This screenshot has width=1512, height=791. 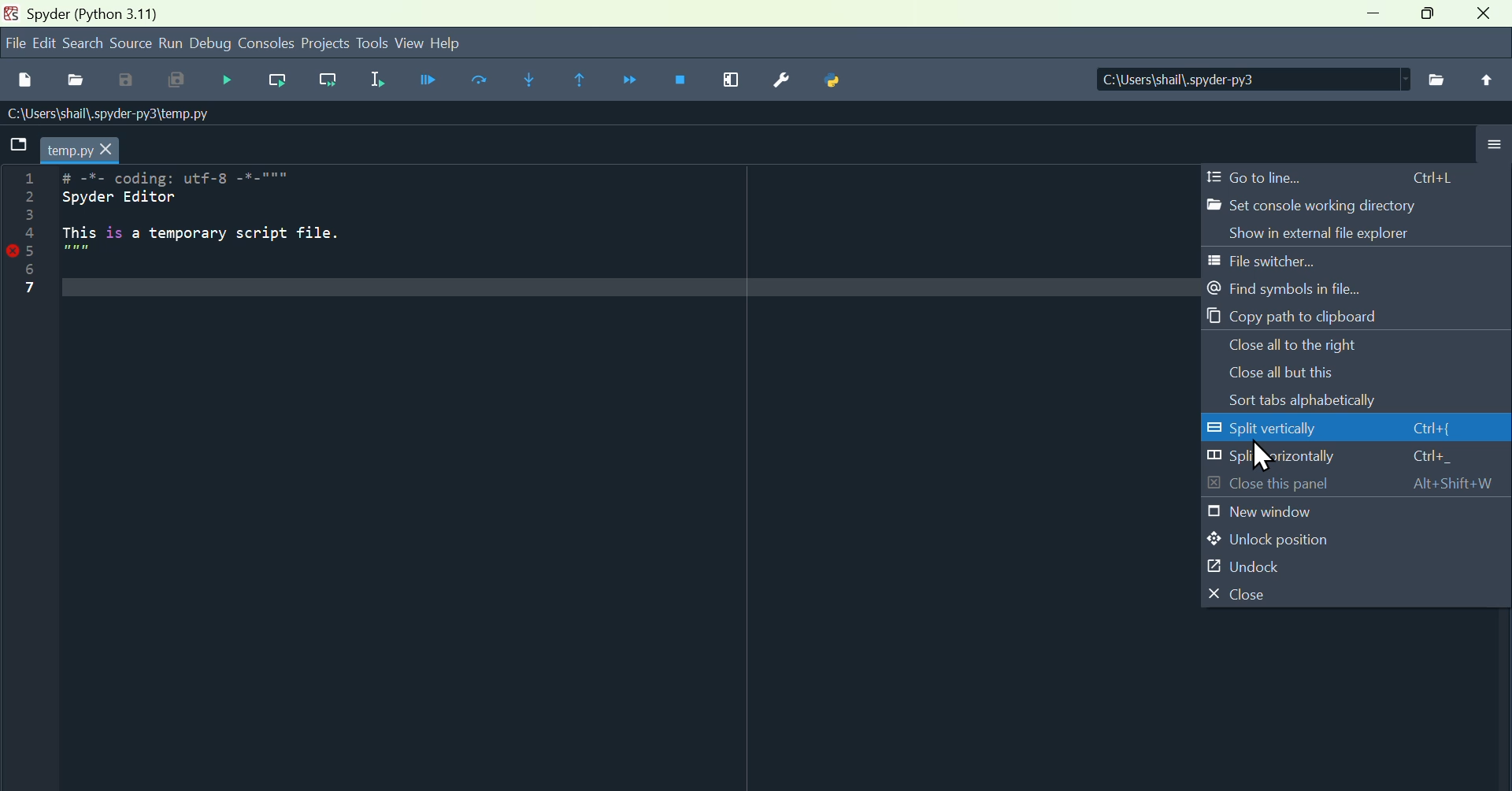 I want to click on Debug file, so click(x=231, y=81).